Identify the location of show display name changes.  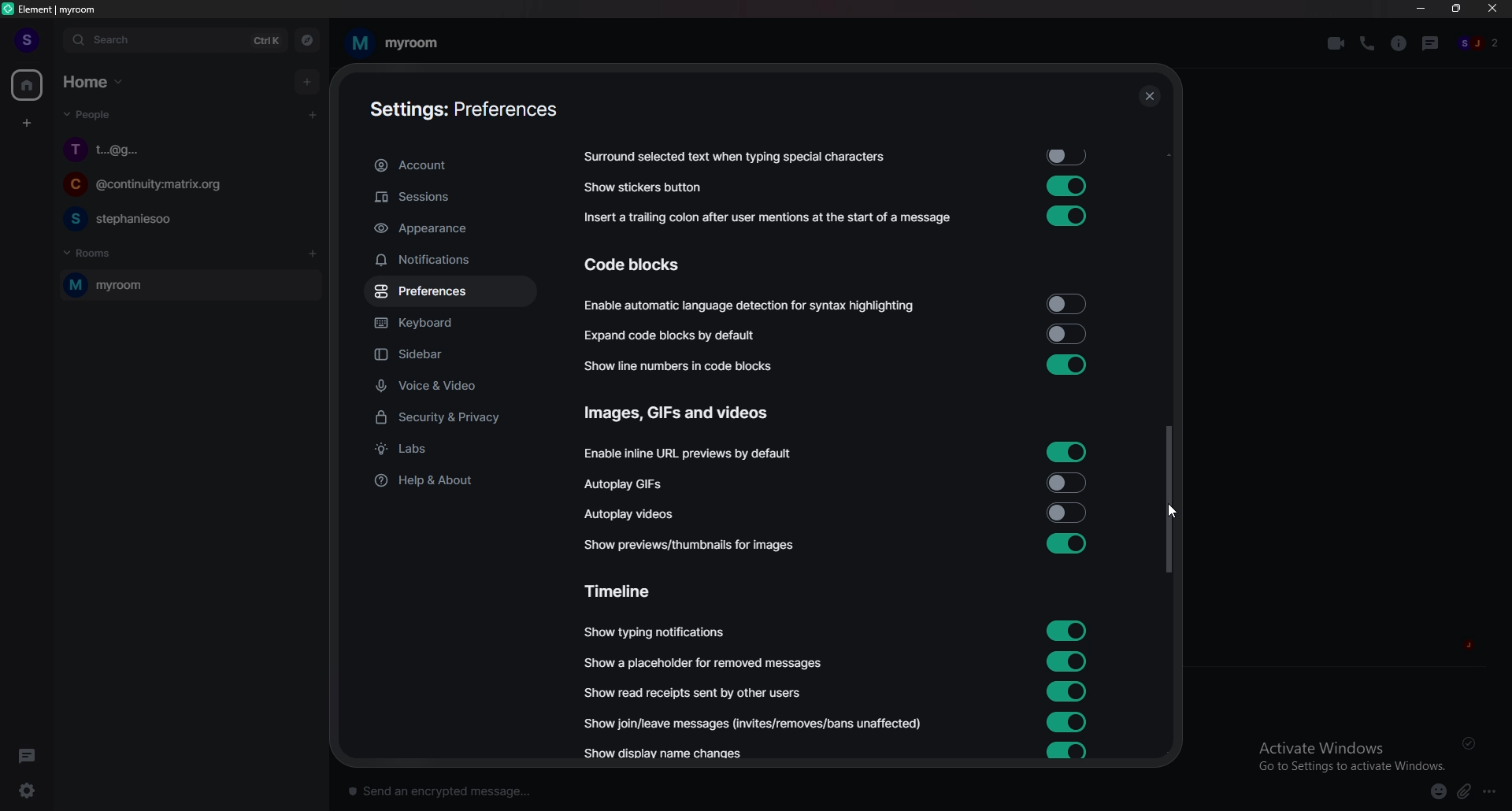
(670, 755).